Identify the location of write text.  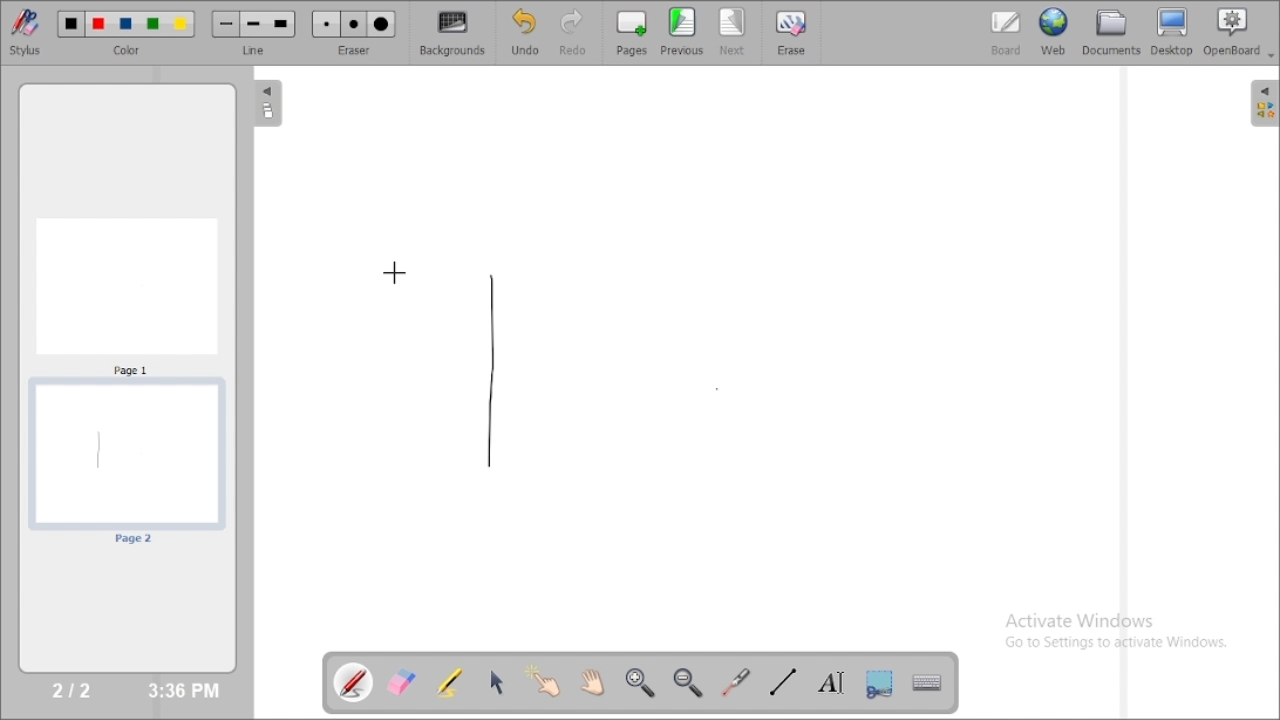
(831, 683).